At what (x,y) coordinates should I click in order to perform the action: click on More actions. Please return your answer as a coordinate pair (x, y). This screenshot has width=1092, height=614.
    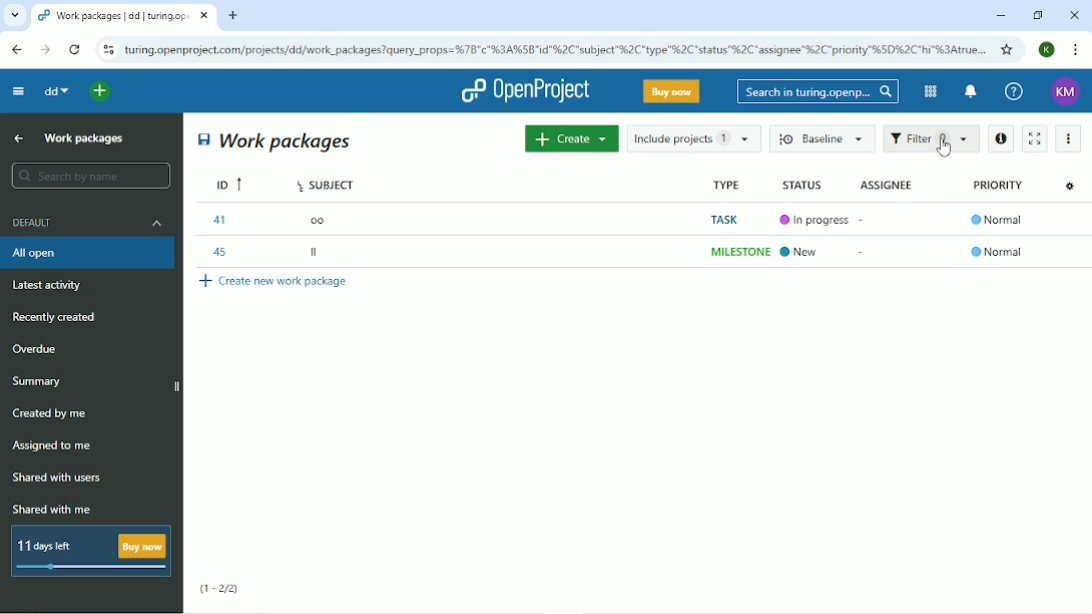
    Looking at the image, I should click on (1070, 139).